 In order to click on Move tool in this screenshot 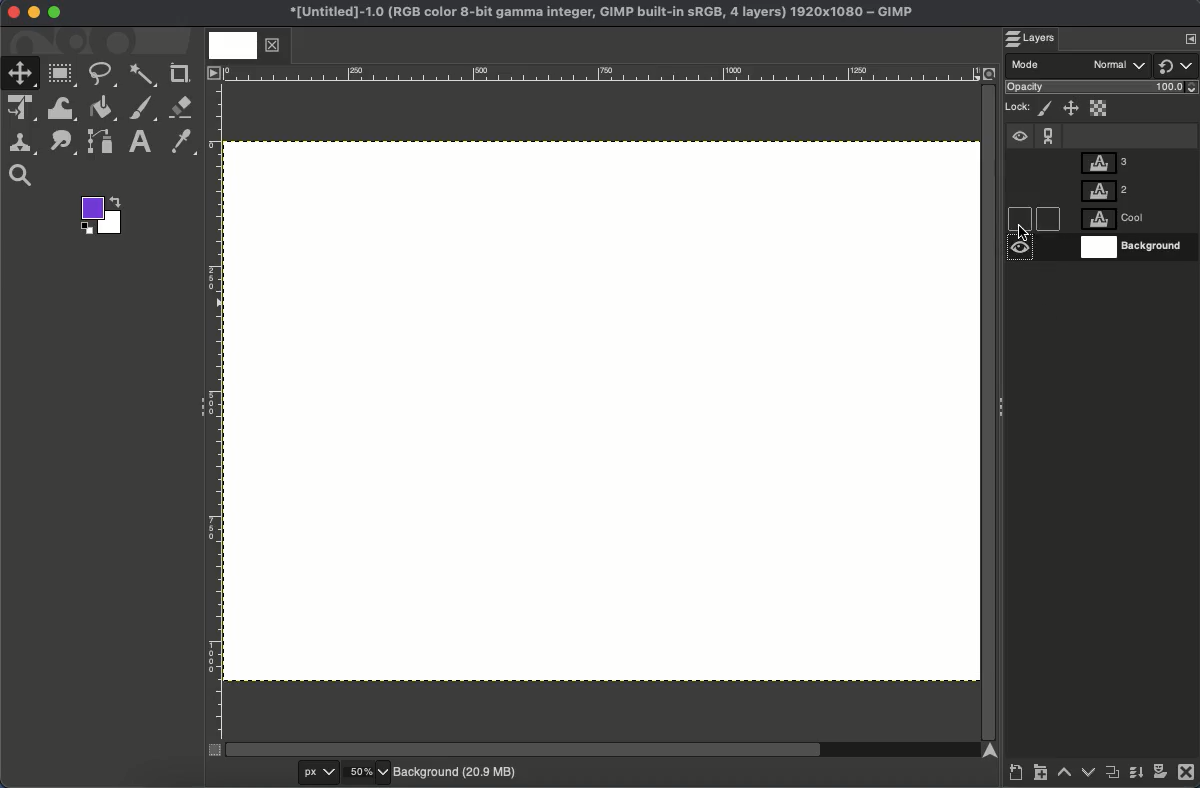, I will do `click(21, 72)`.